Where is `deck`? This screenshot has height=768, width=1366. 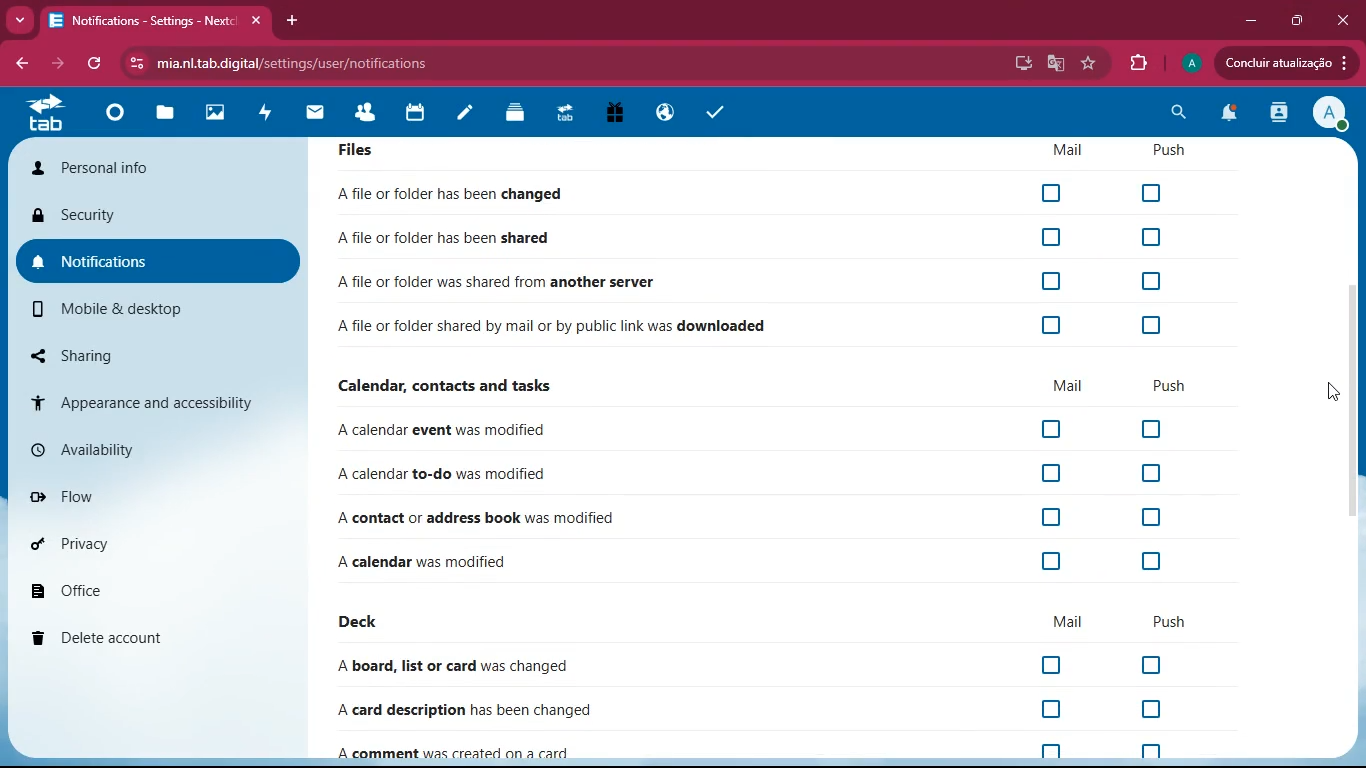 deck is located at coordinates (366, 619).